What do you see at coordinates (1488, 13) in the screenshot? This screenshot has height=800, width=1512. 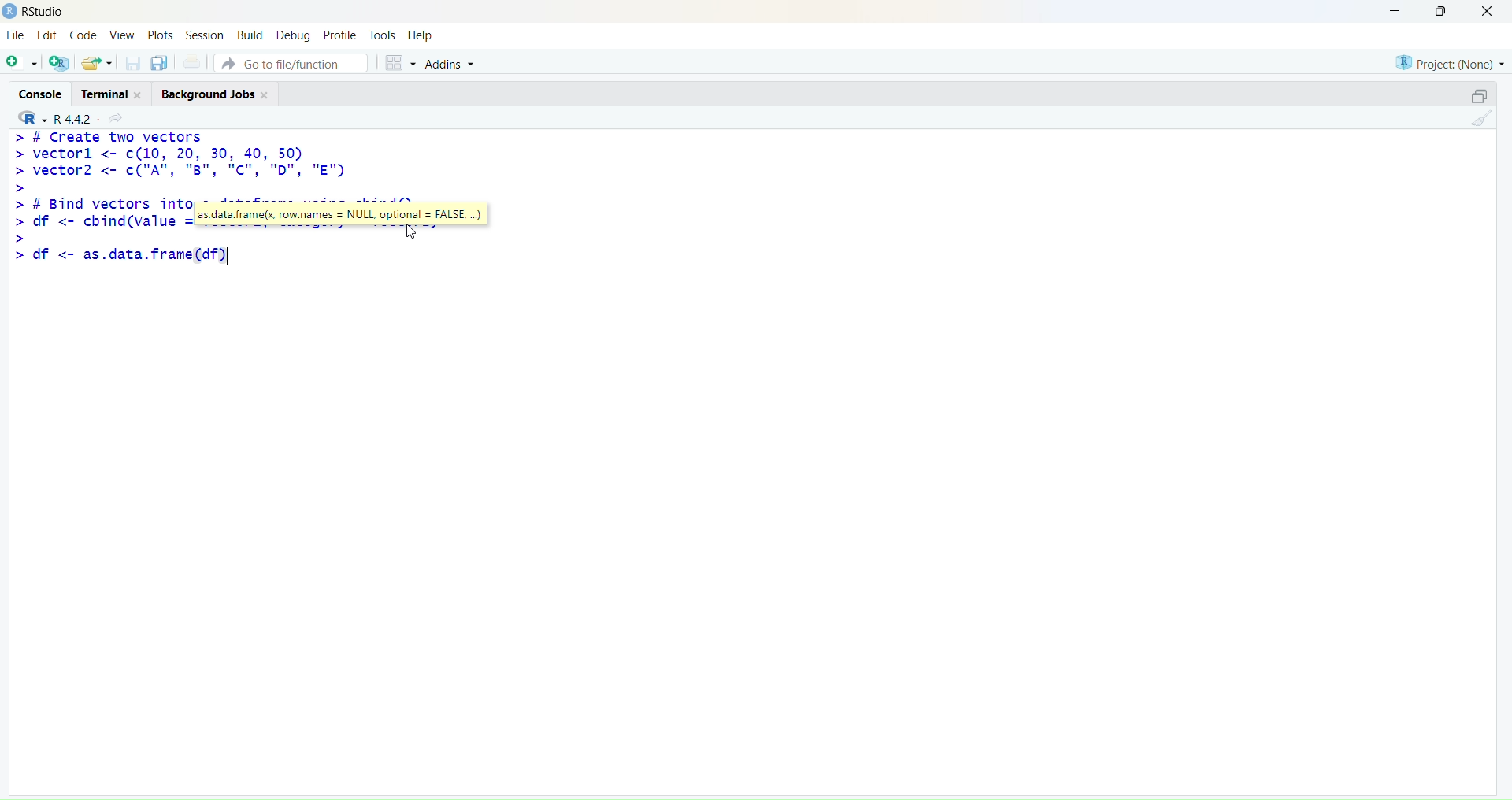 I see `Close` at bounding box center [1488, 13].